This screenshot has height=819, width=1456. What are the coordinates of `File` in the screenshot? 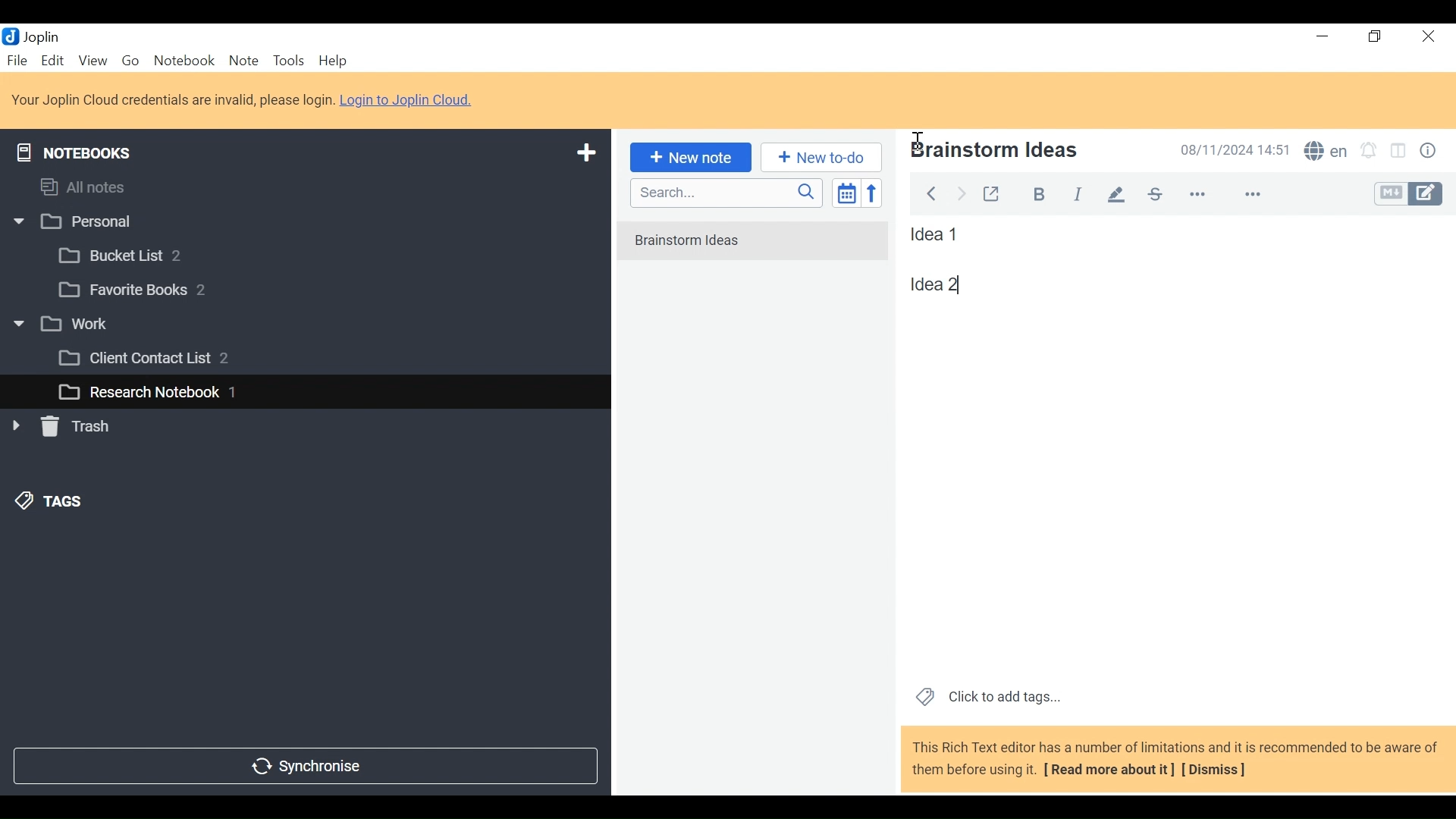 It's located at (19, 60).